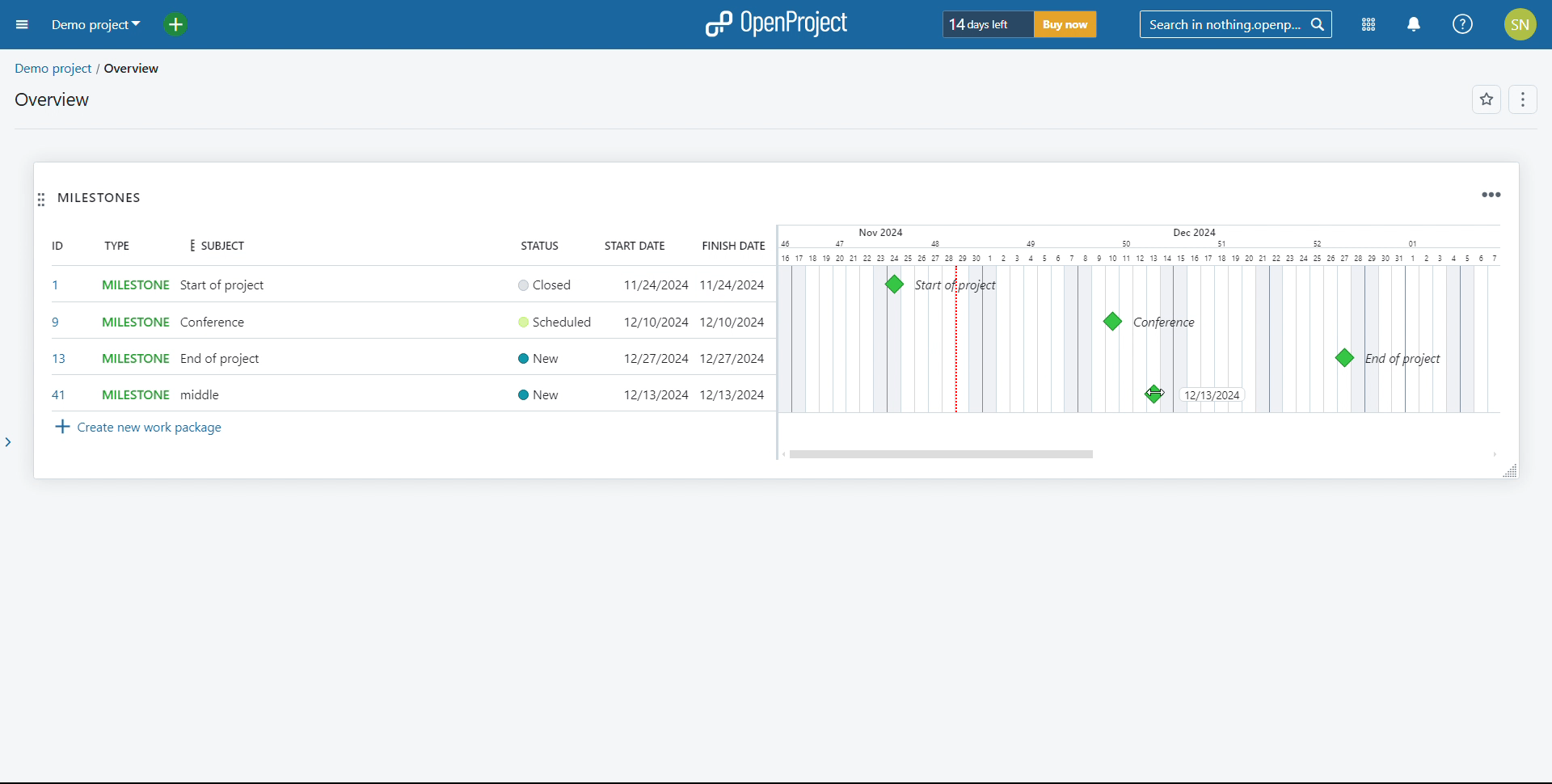  Describe the element at coordinates (894, 284) in the screenshot. I see `milestone 1` at that location.